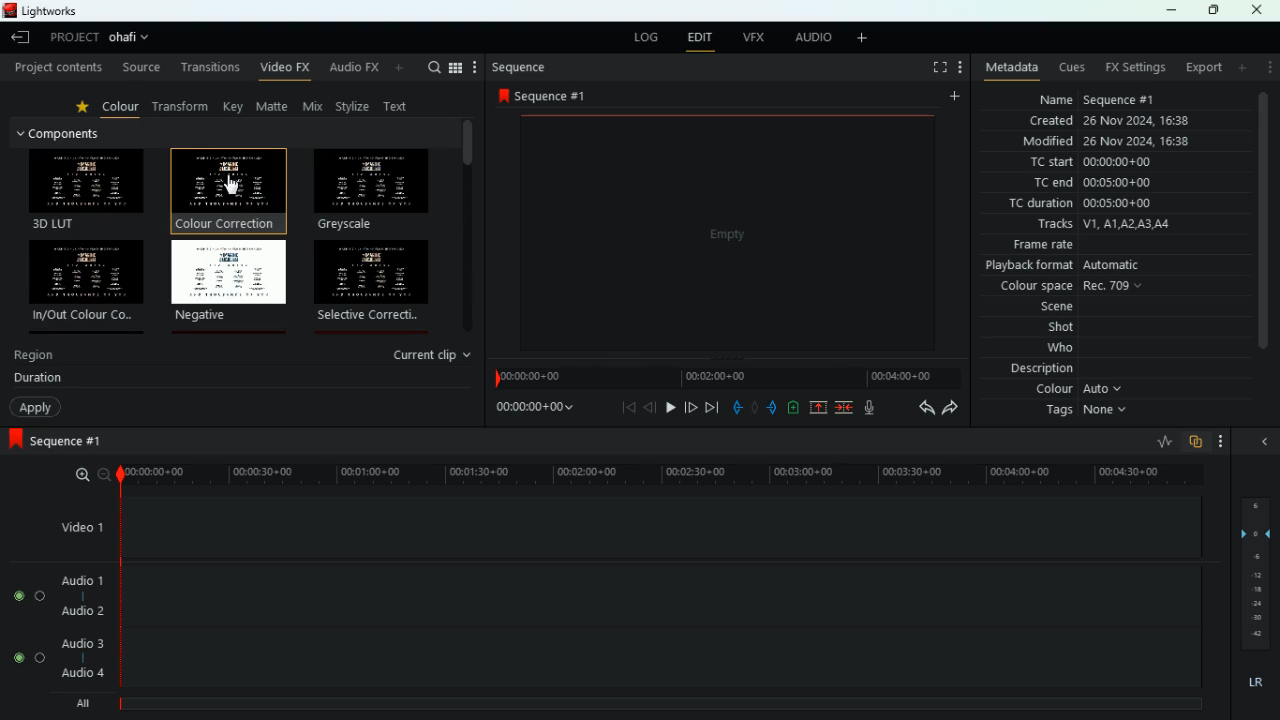  Describe the element at coordinates (1089, 266) in the screenshot. I see `playback format` at that location.